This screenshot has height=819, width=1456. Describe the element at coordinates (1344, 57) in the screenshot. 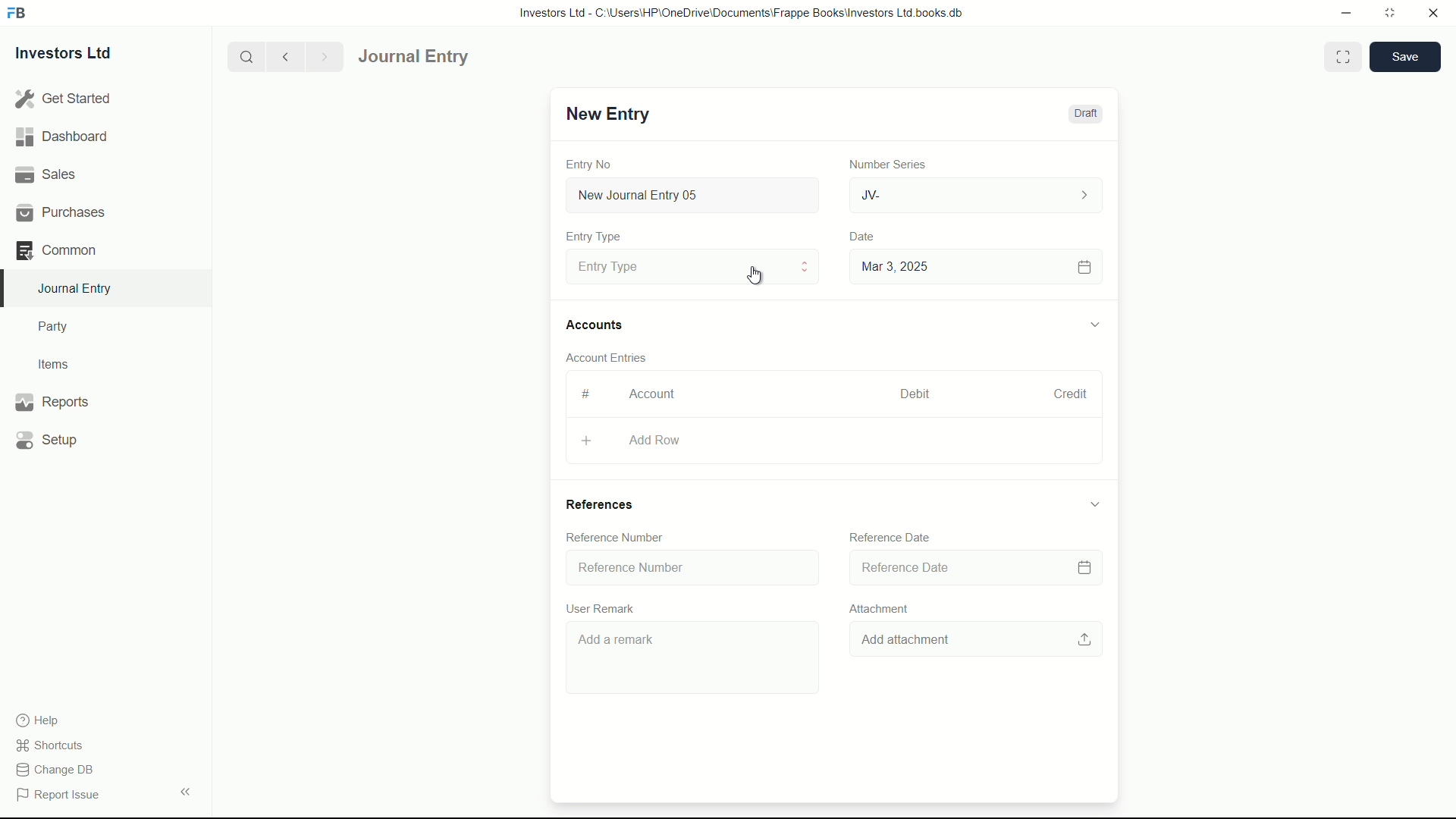

I see `Toggle between form and full width` at that location.